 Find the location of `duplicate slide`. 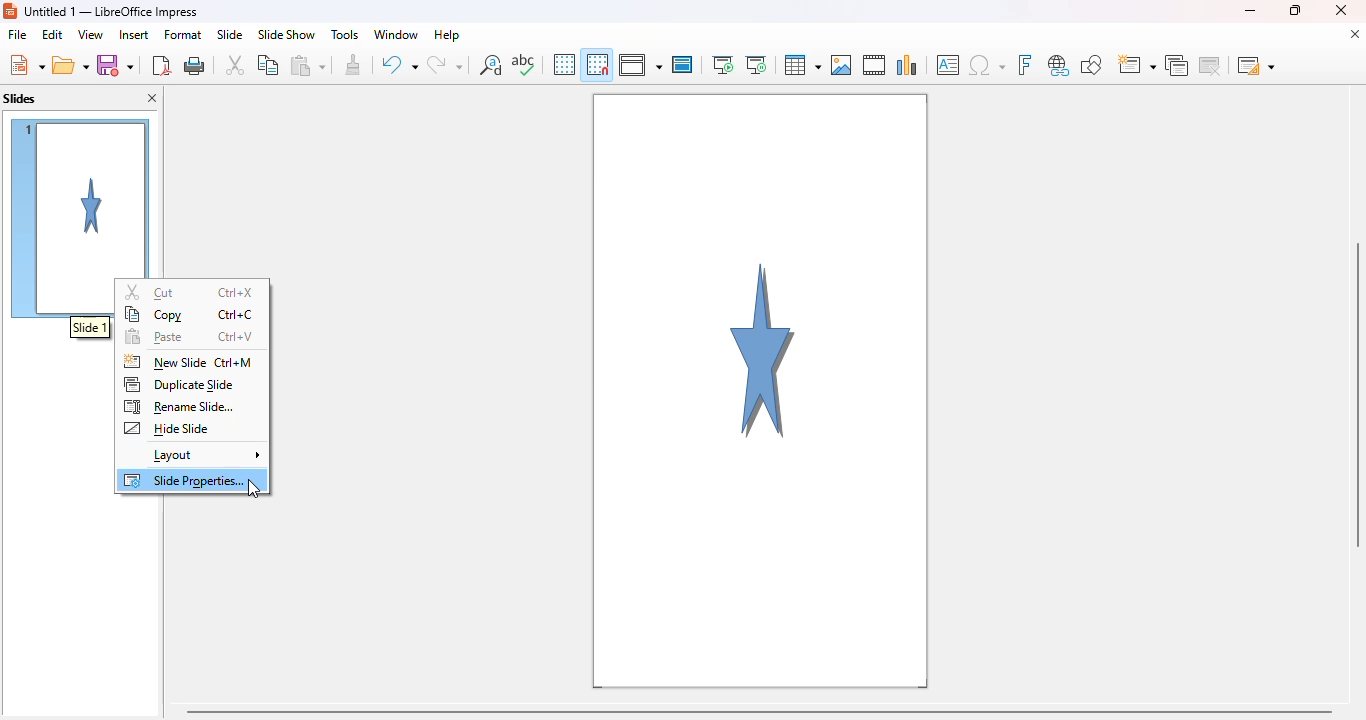

duplicate slide is located at coordinates (177, 384).